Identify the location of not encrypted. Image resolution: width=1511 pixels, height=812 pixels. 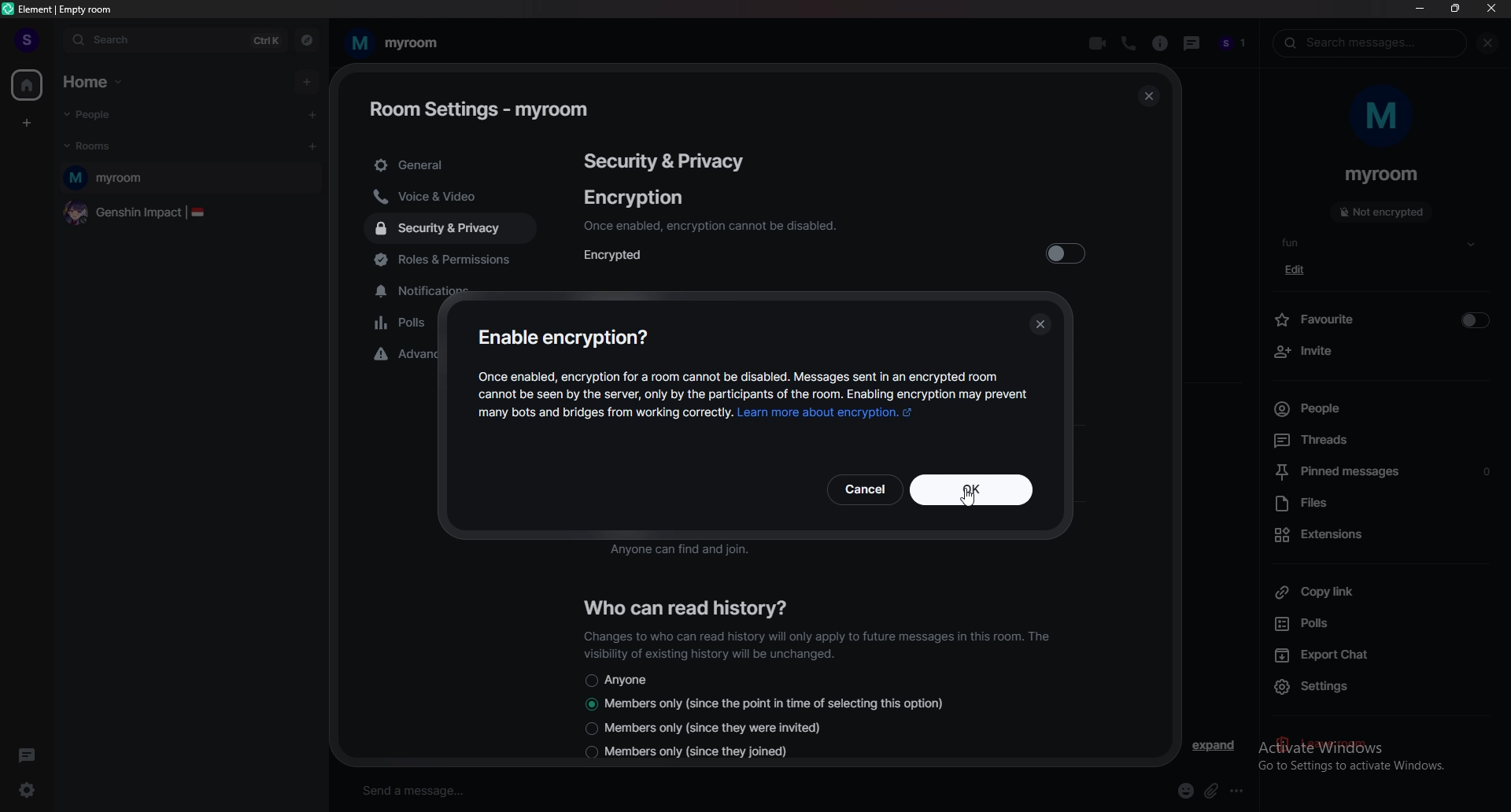
(1382, 212).